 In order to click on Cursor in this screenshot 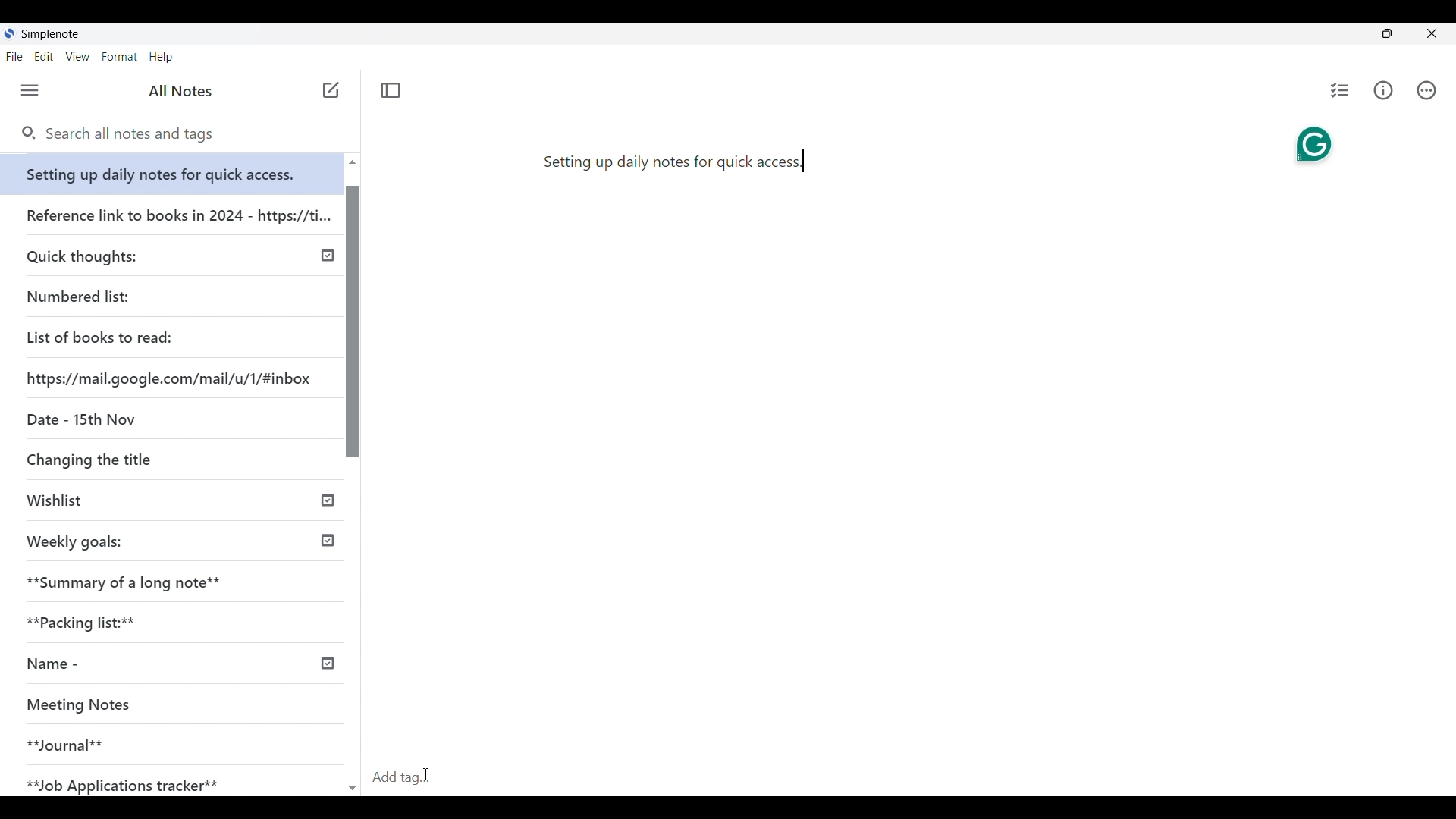, I will do `click(430, 773)`.